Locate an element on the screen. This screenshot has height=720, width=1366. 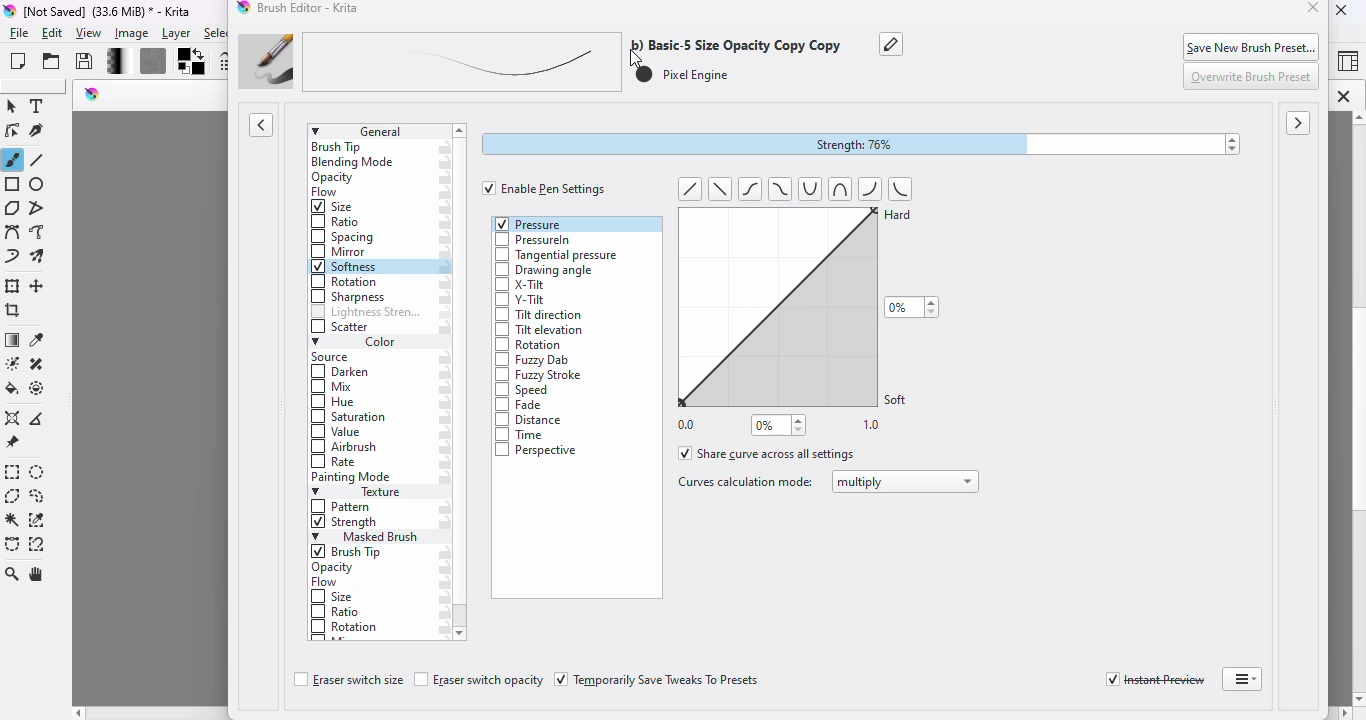
logo is located at coordinates (10, 12).